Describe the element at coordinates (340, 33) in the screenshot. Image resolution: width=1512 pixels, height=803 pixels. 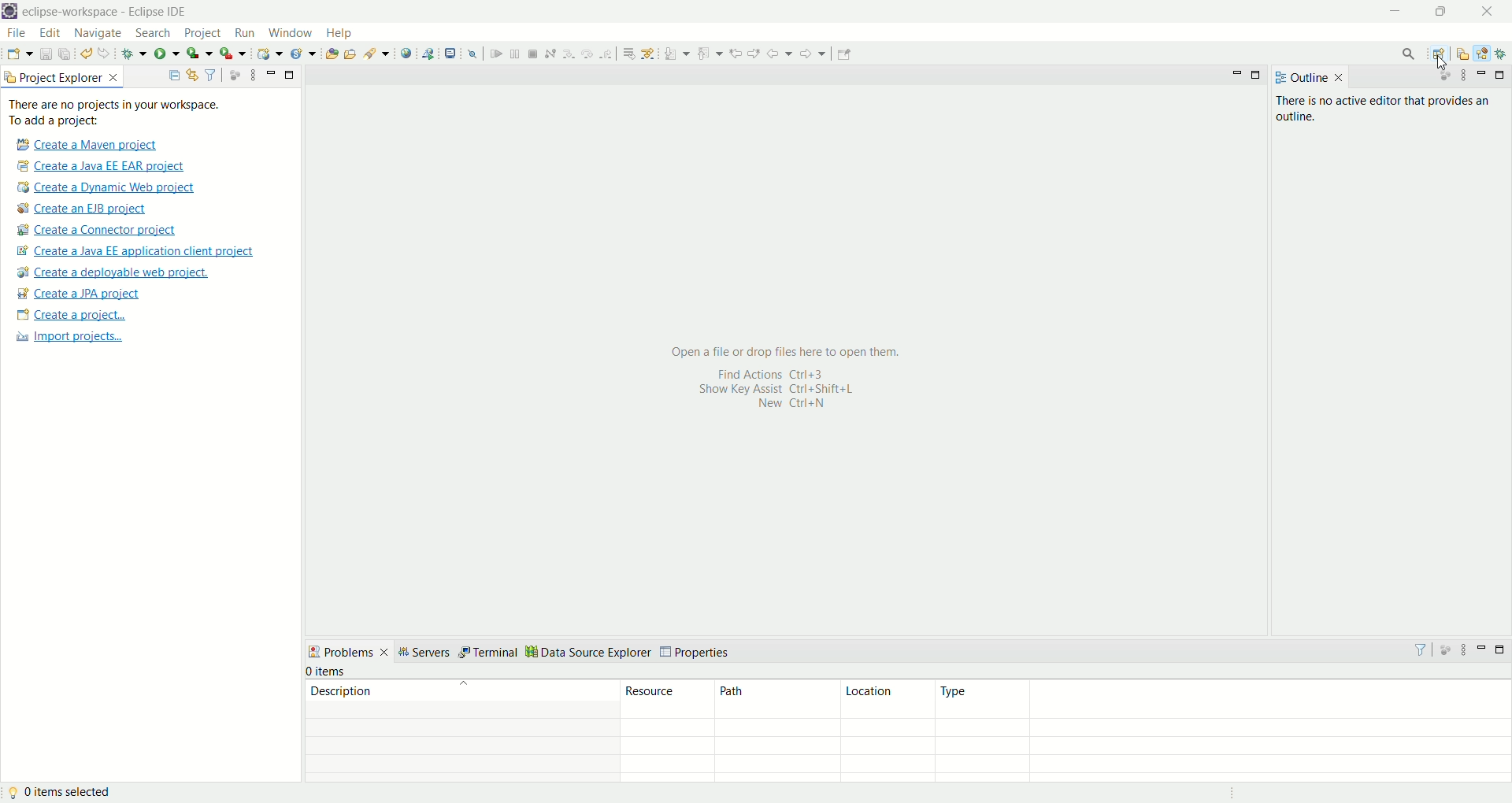
I see `help` at that location.